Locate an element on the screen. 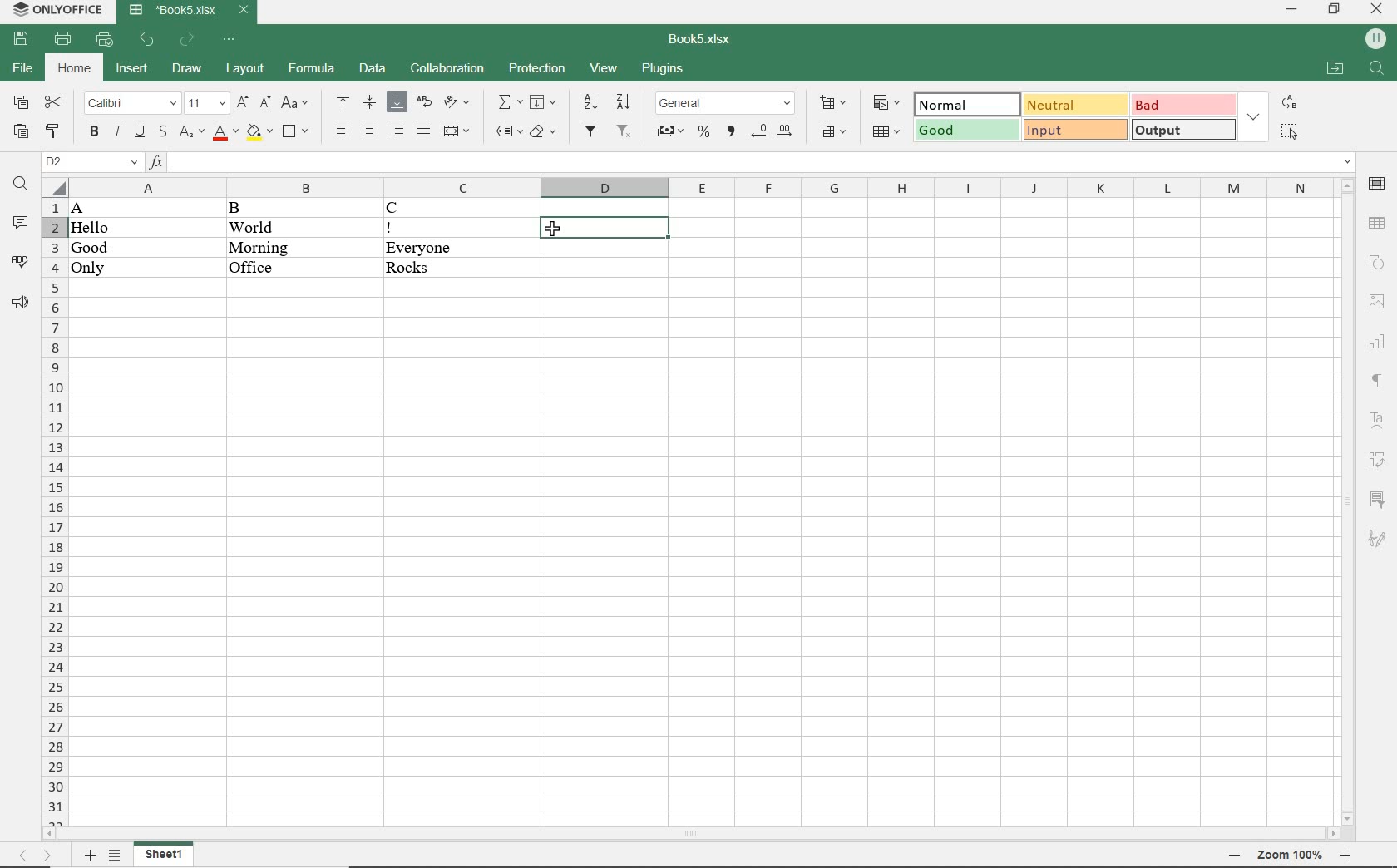 The height and width of the screenshot is (868, 1397). align right is located at coordinates (397, 132).